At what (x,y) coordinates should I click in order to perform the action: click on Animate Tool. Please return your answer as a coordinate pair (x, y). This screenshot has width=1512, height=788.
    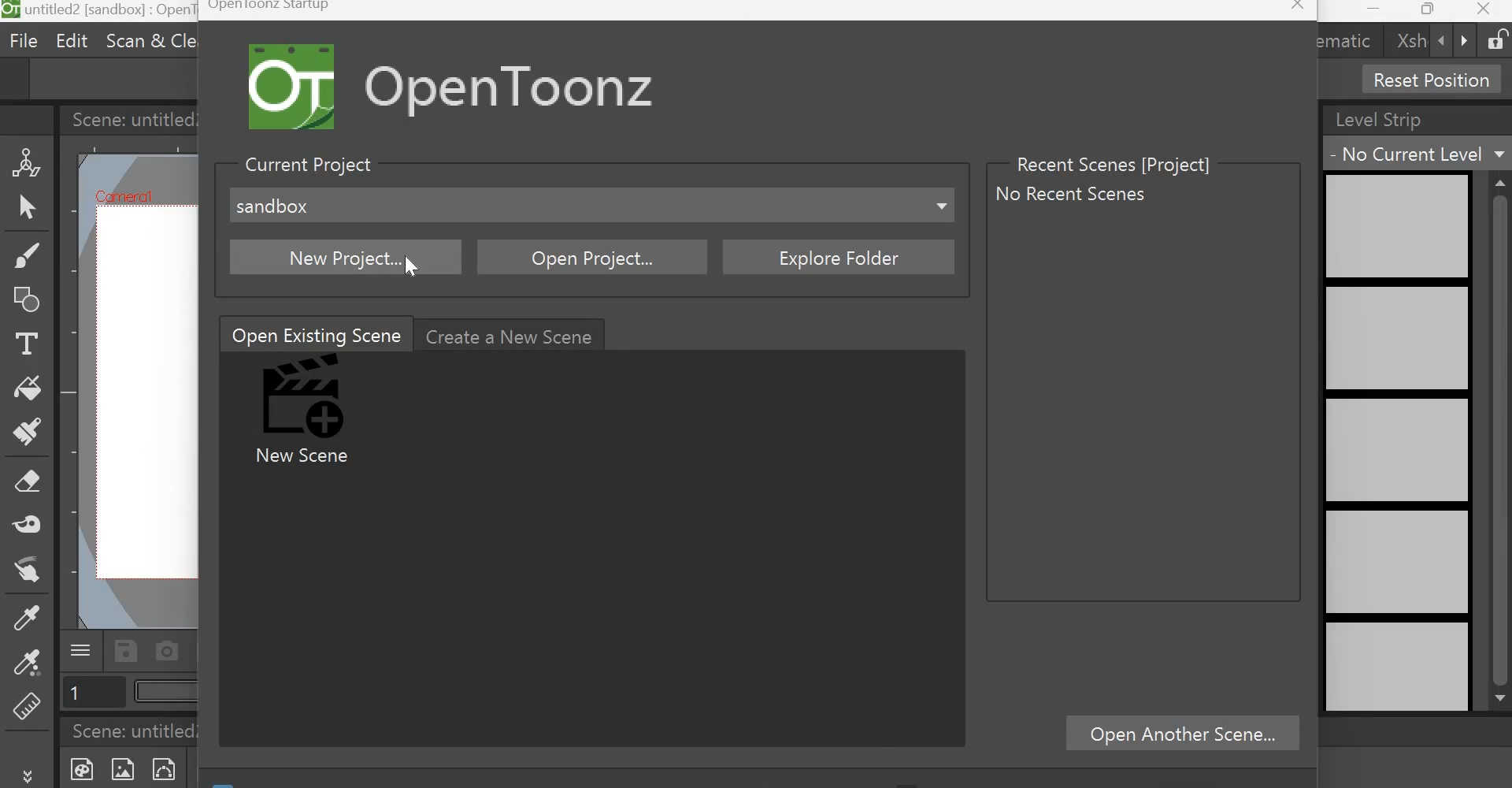
    Looking at the image, I should click on (28, 161).